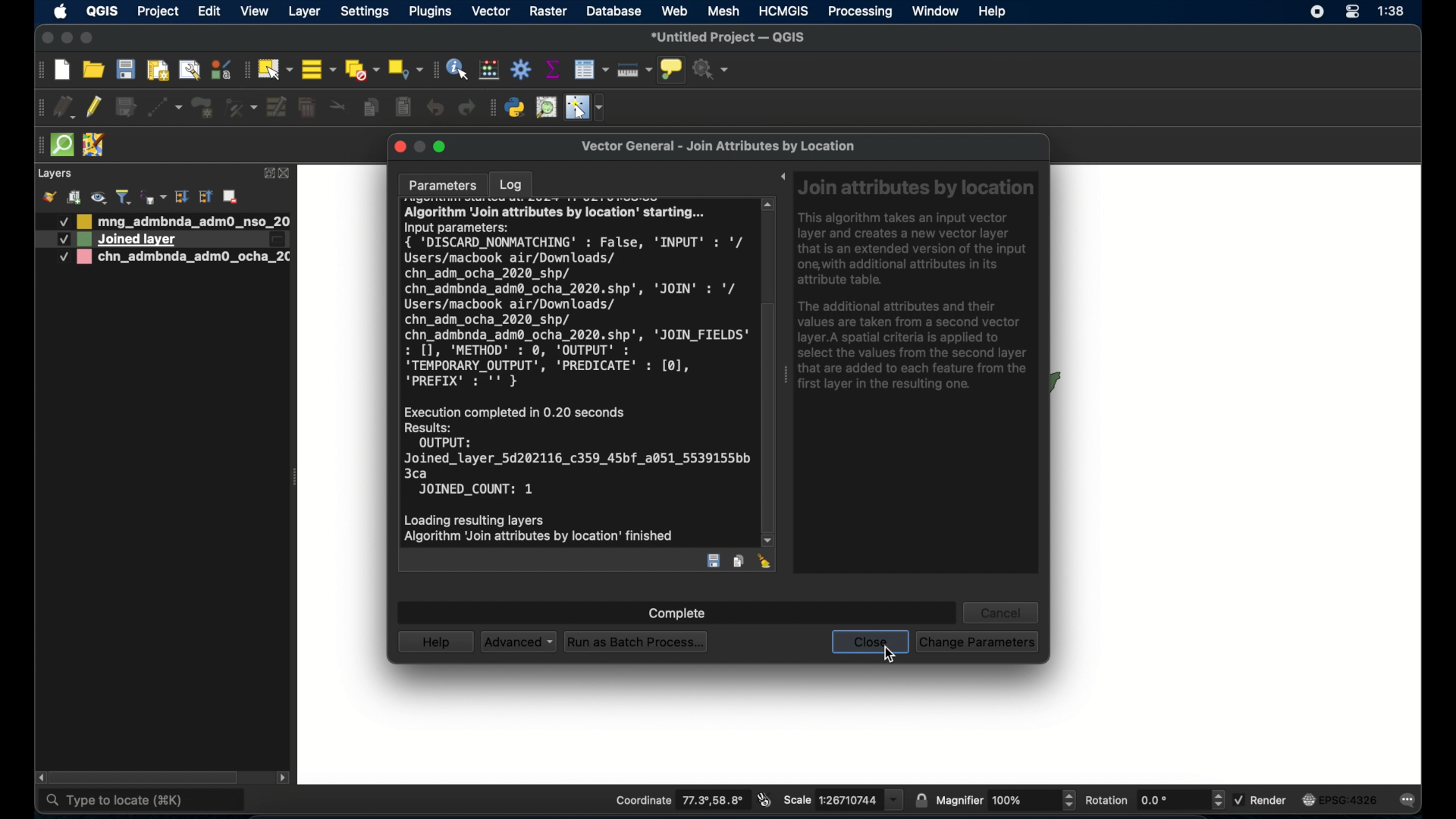  Describe the element at coordinates (516, 108) in the screenshot. I see `python console` at that location.